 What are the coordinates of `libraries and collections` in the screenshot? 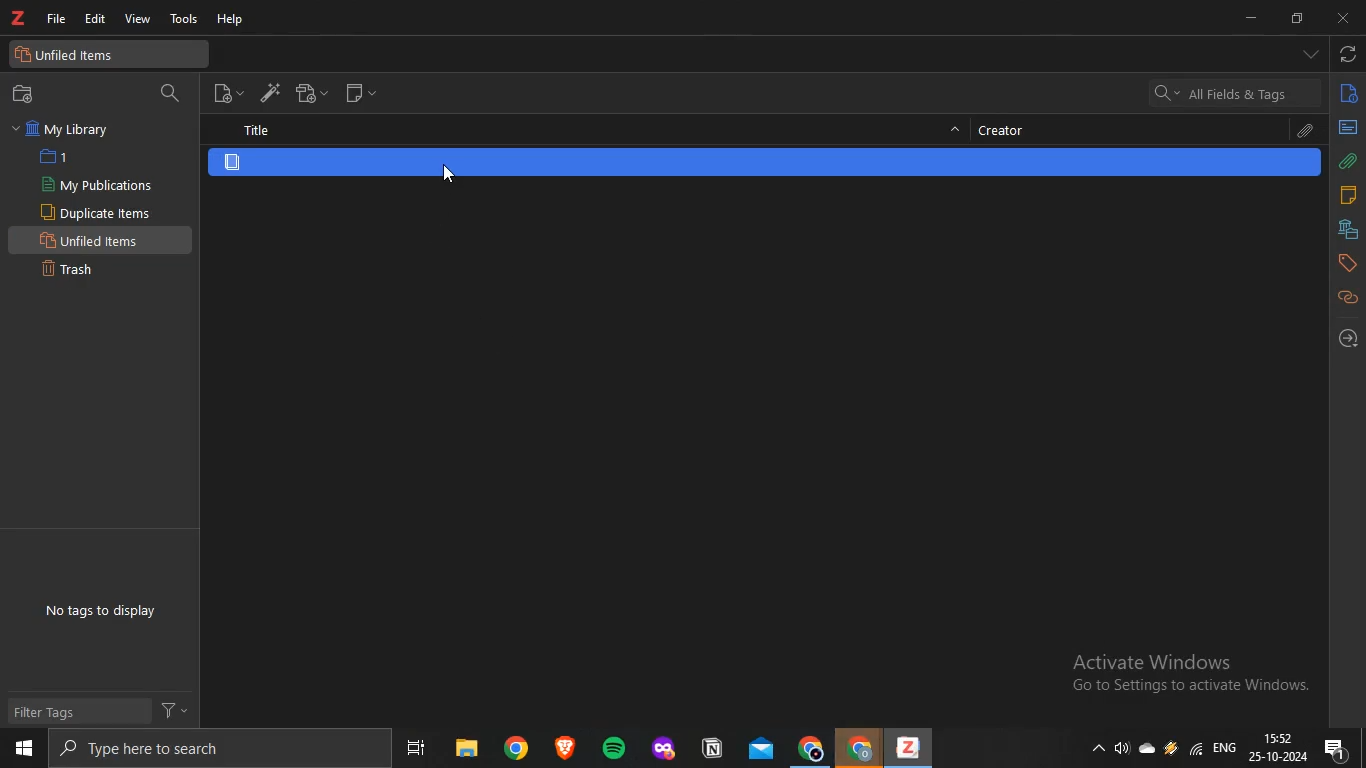 It's located at (1348, 228).